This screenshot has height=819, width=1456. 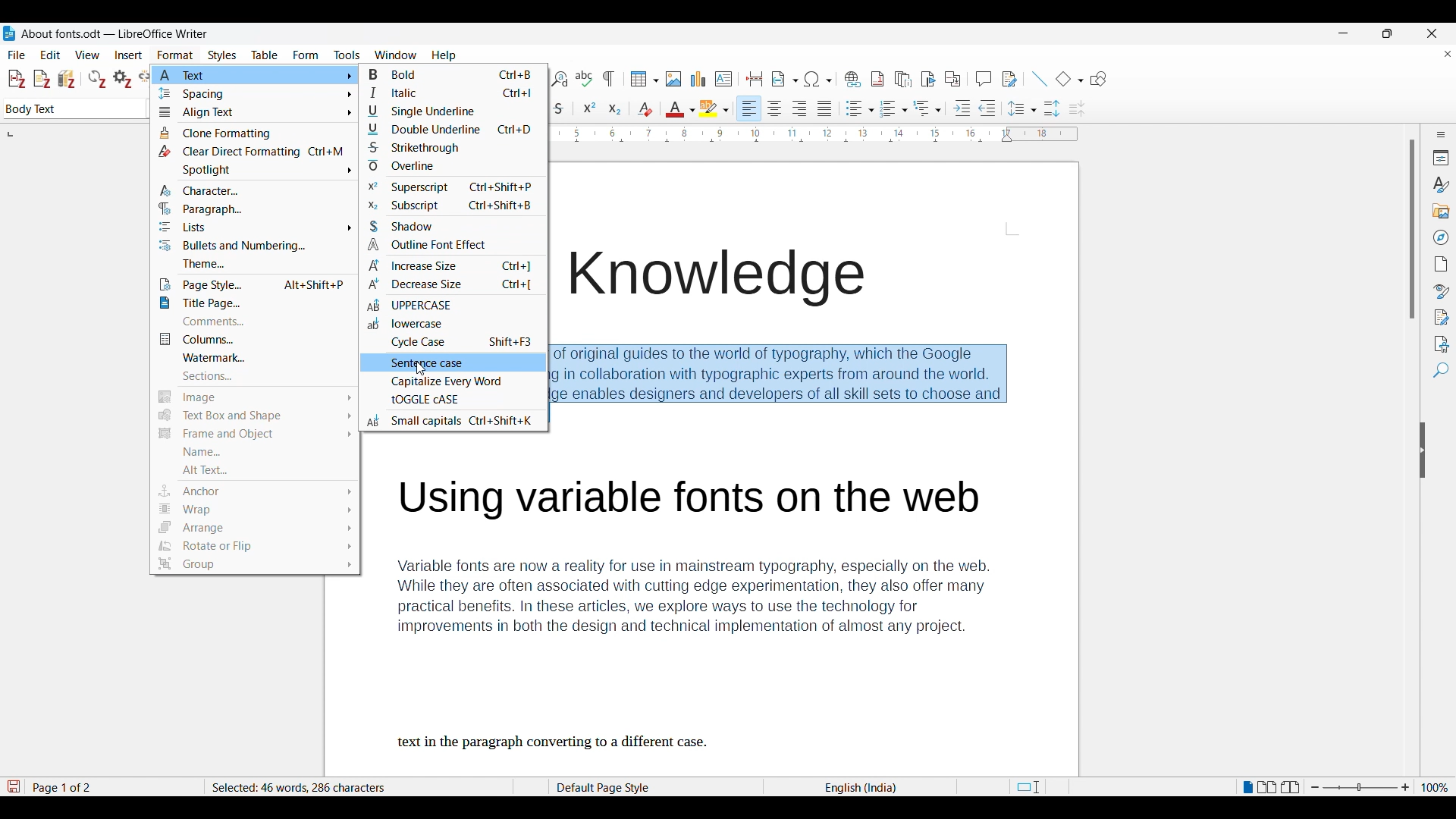 I want to click on theme, so click(x=250, y=264).